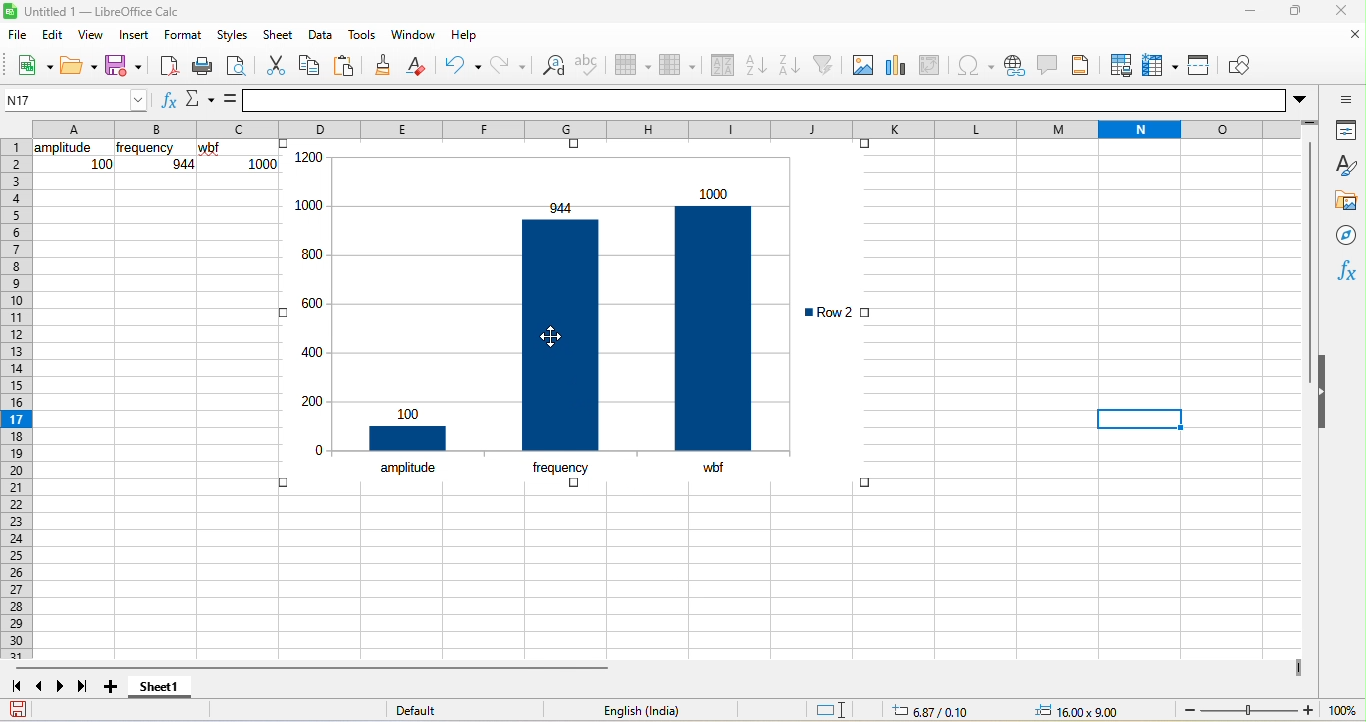 This screenshot has height=722, width=1366. What do you see at coordinates (461, 65) in the screenshot?
I see `undo` at bounding box center [461, 65].